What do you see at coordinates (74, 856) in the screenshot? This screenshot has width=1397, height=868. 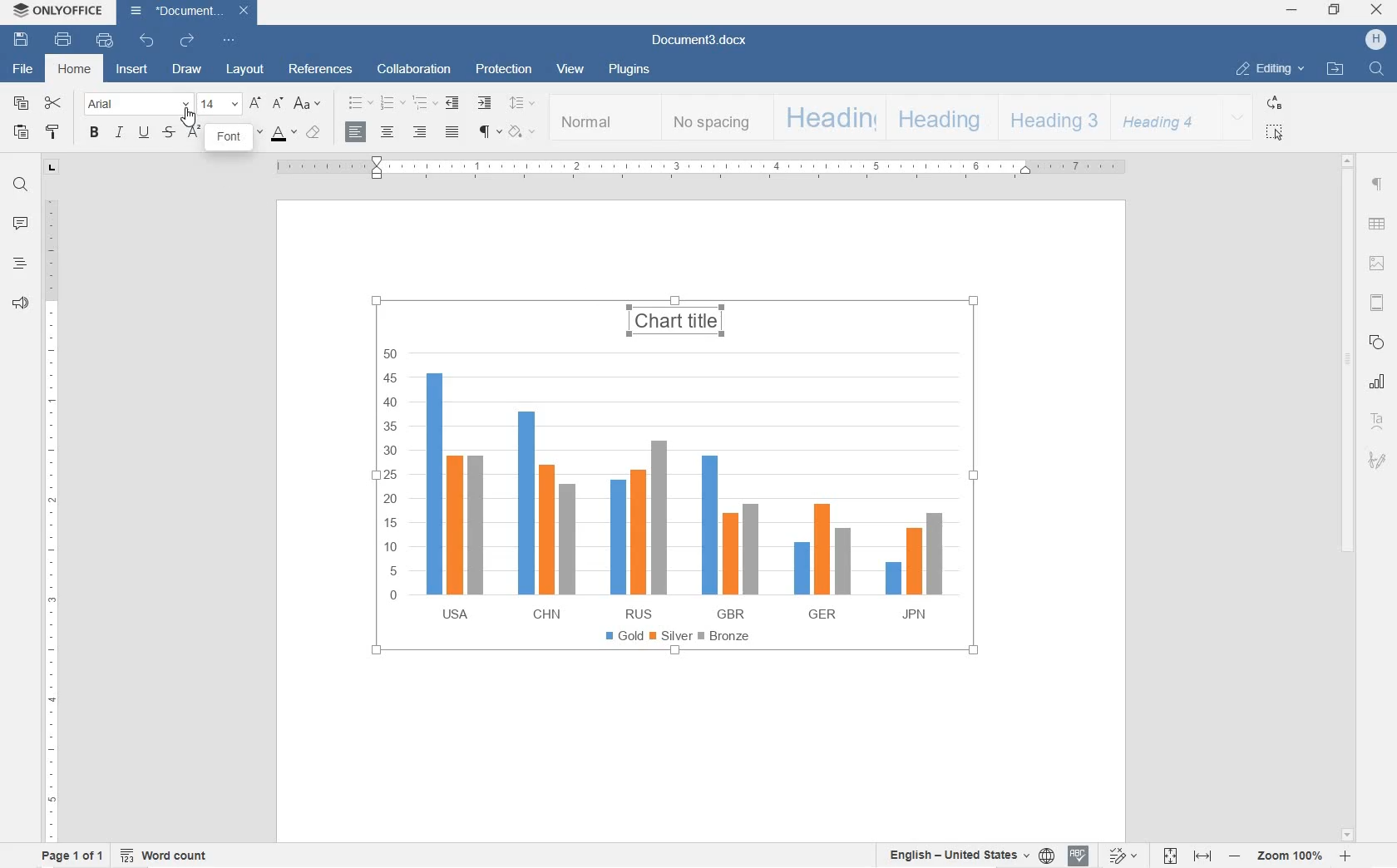 I see `PAGE 1 OF 1` at bounding box center [74, 856].